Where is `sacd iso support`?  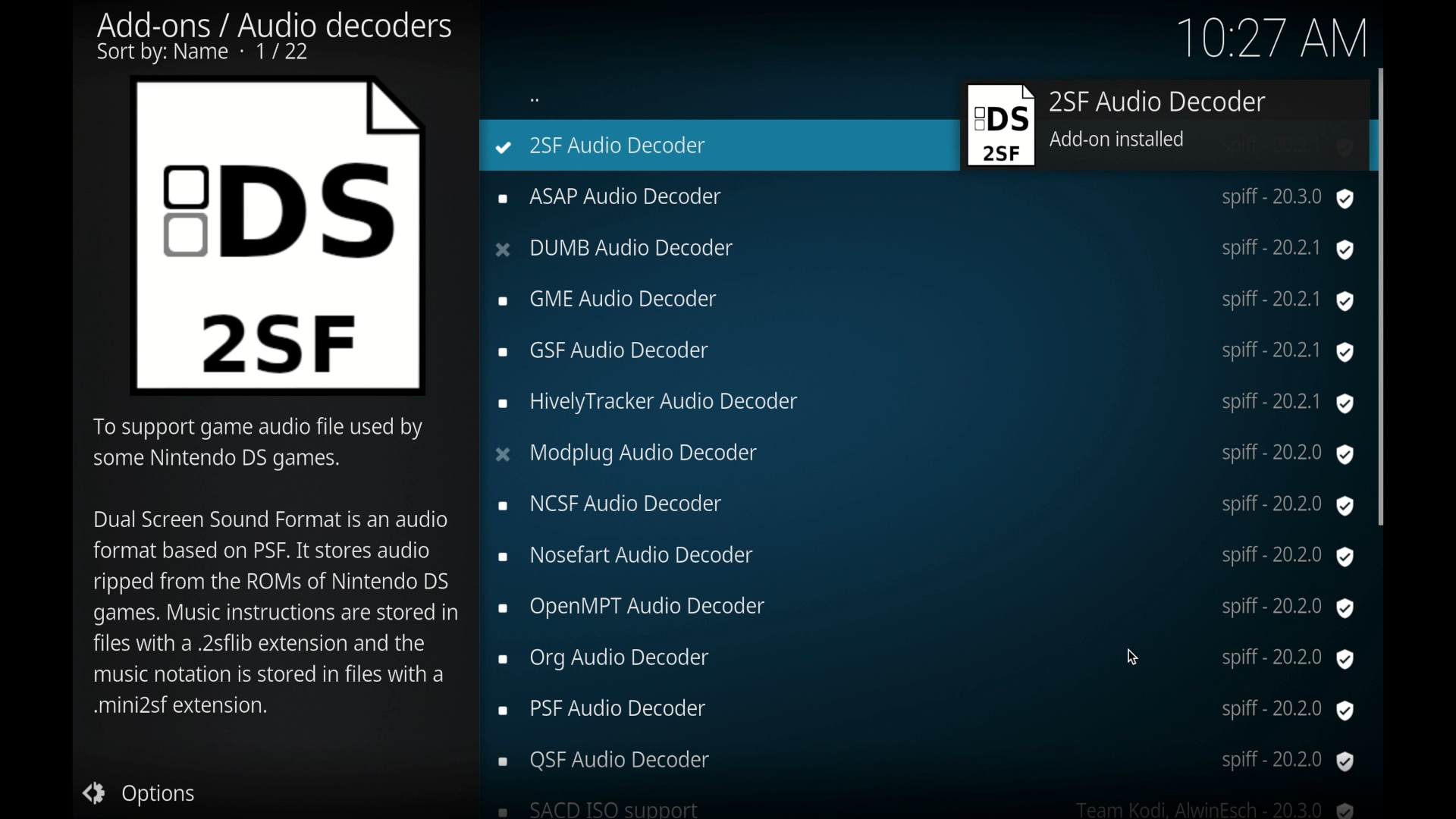
sacd iso support is located at coordinates (928, 808).